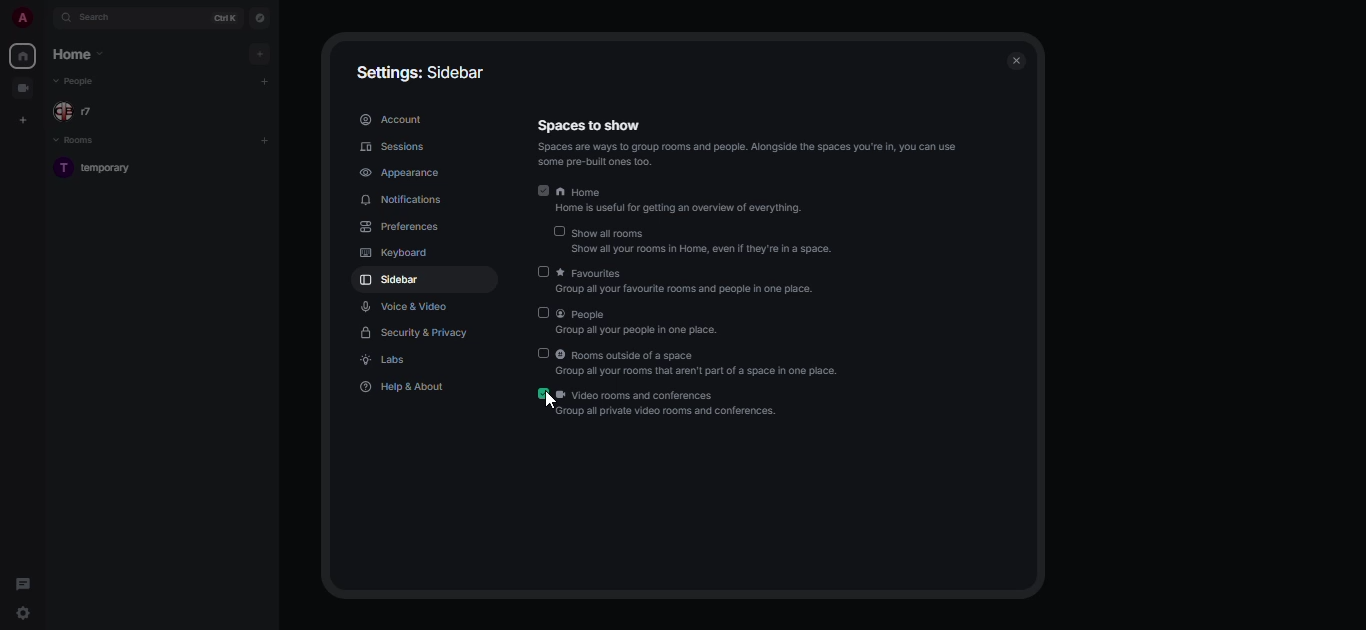  Describe the element at coordinates (23, 612) in the screenshot. I see `quick settings` at that location.